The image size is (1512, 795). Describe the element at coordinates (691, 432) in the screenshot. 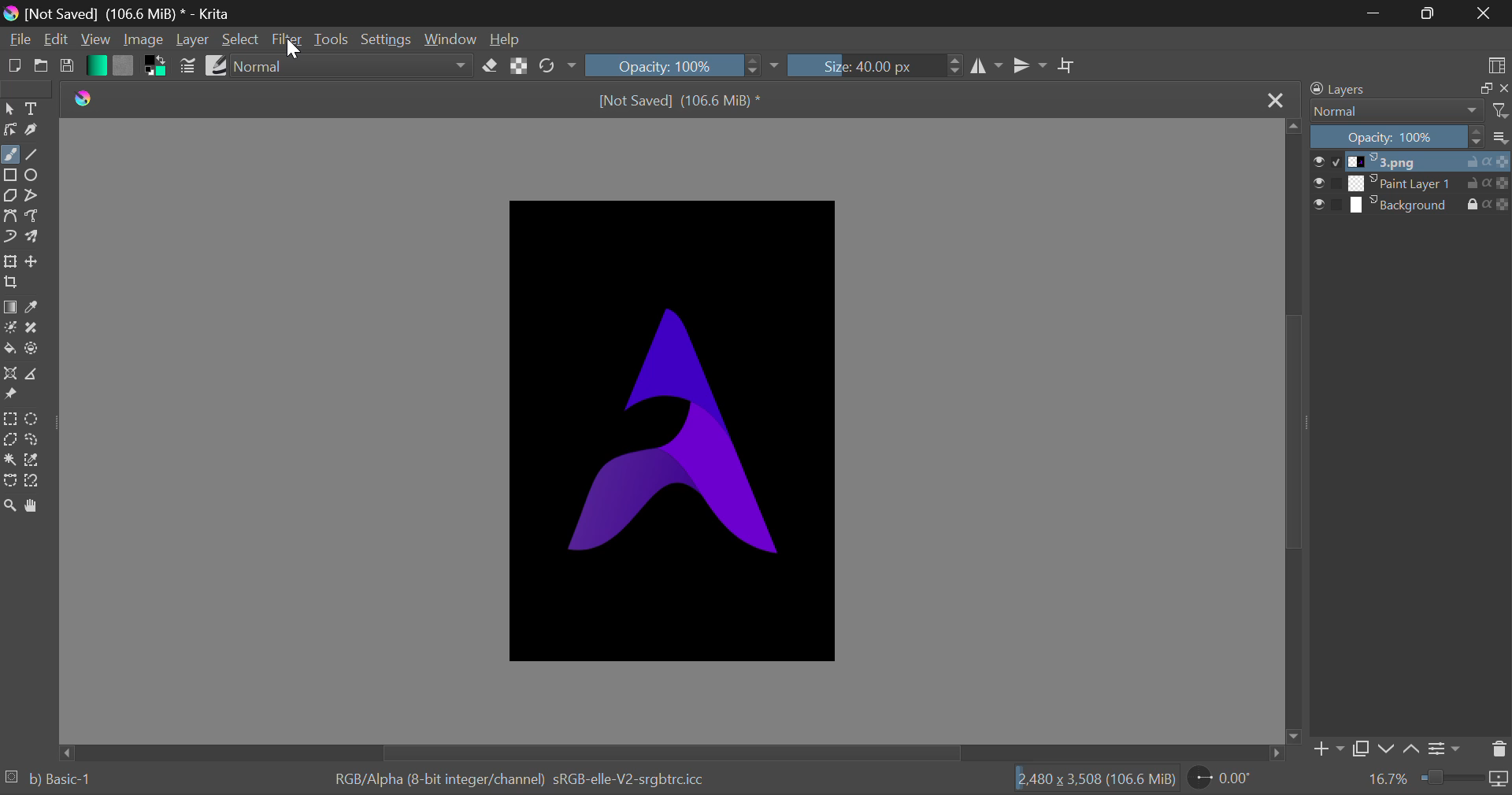

I see `Image in Workspace` at that location.